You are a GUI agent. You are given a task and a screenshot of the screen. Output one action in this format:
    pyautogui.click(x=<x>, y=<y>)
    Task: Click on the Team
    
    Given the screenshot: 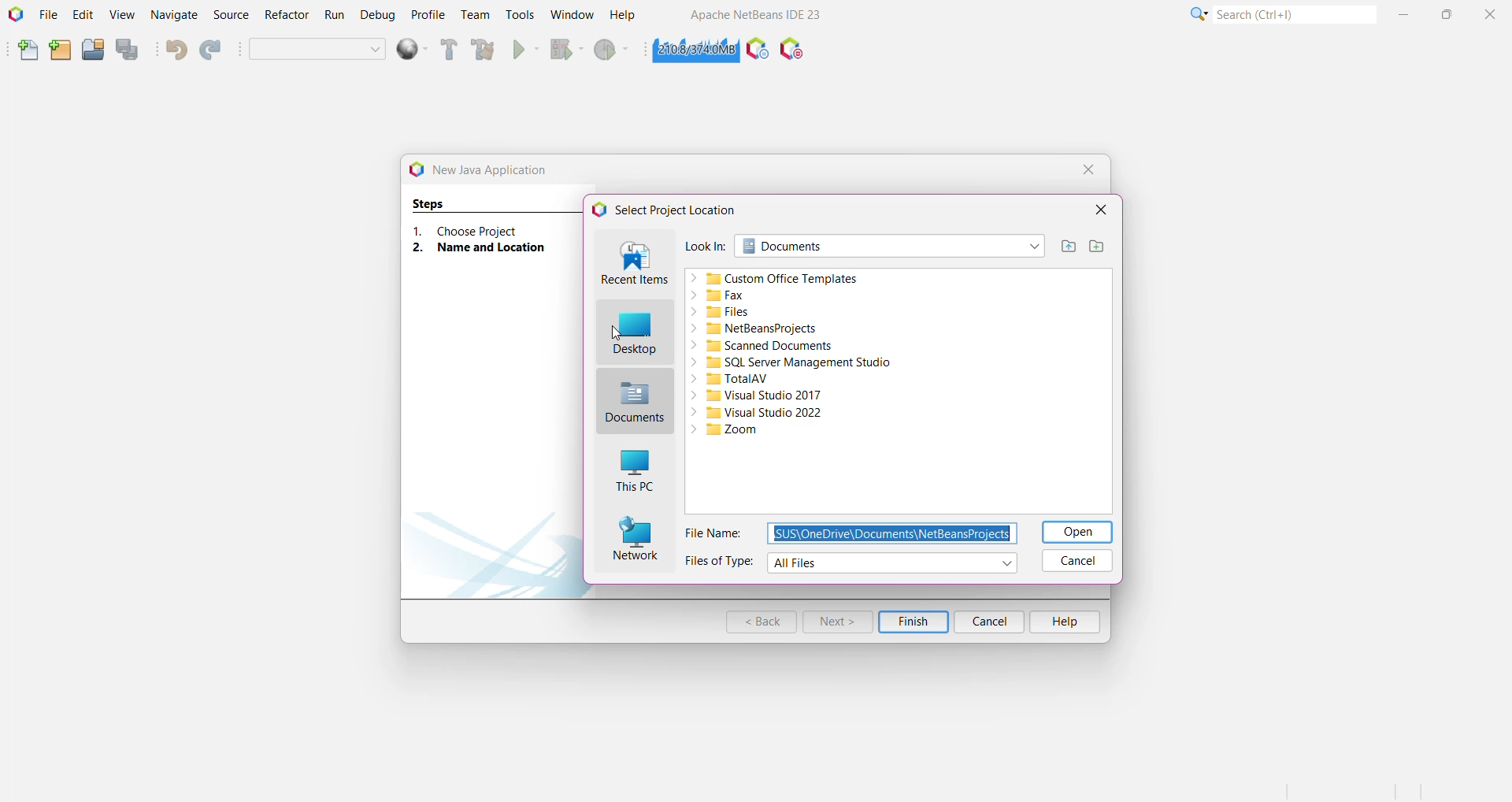 What is the action you would take?
    pyautogui.click(x=475, y=16)
    